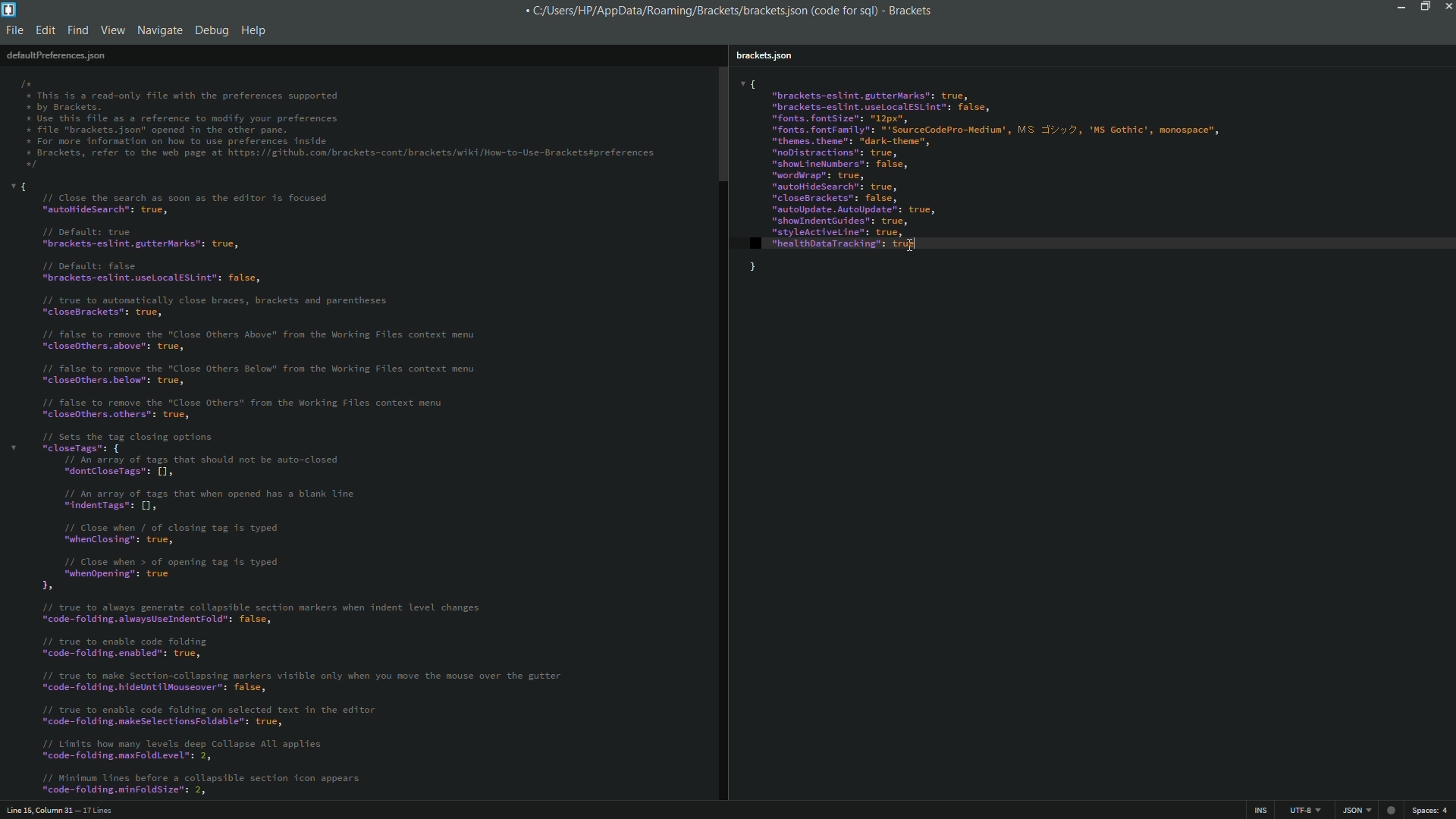 The height and width of the screenshot is (819, 1456). Describe the element at coordinates (44, 32) in the screenshot. I see `Edit menu` at that location.